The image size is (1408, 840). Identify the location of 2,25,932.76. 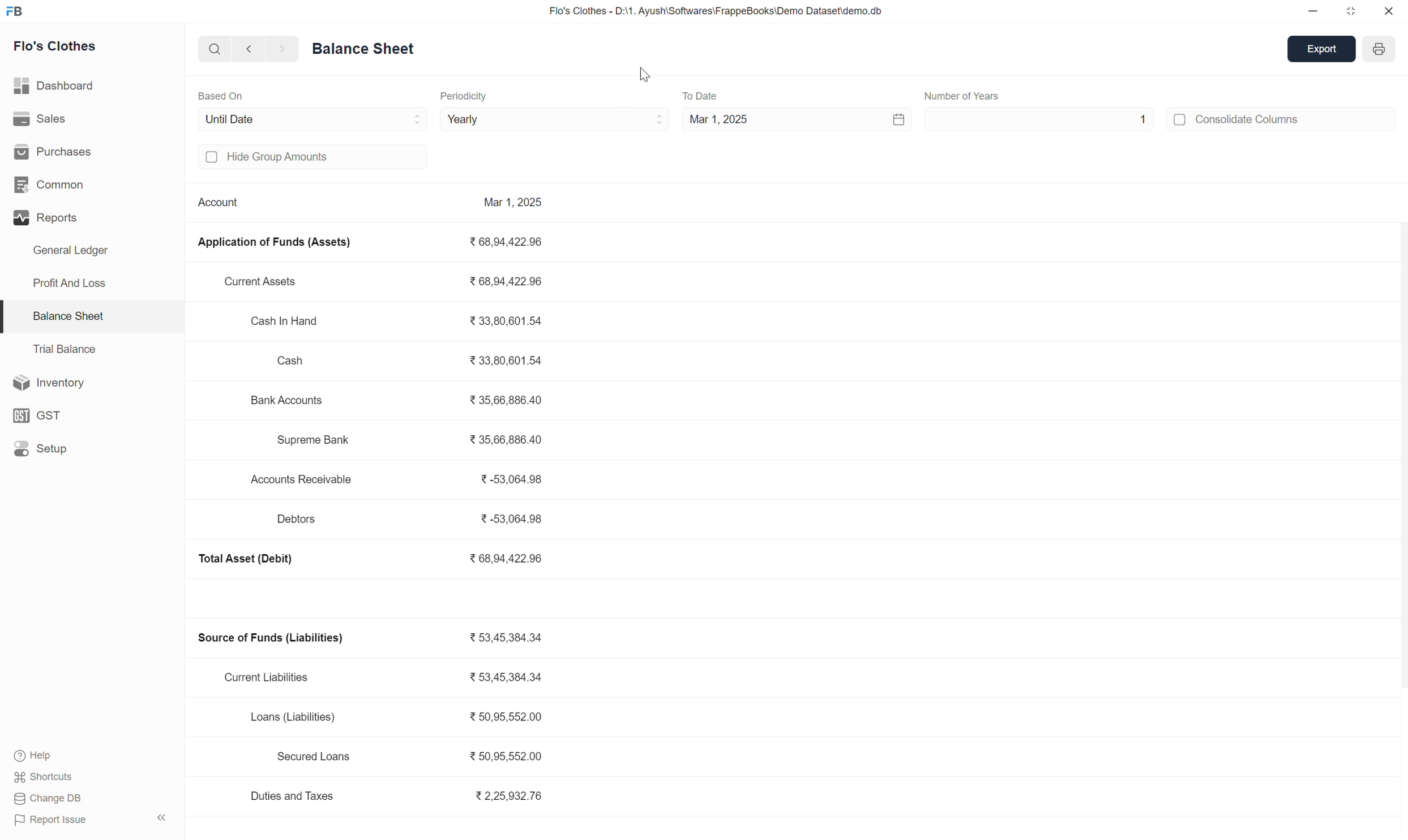
(513, 795).